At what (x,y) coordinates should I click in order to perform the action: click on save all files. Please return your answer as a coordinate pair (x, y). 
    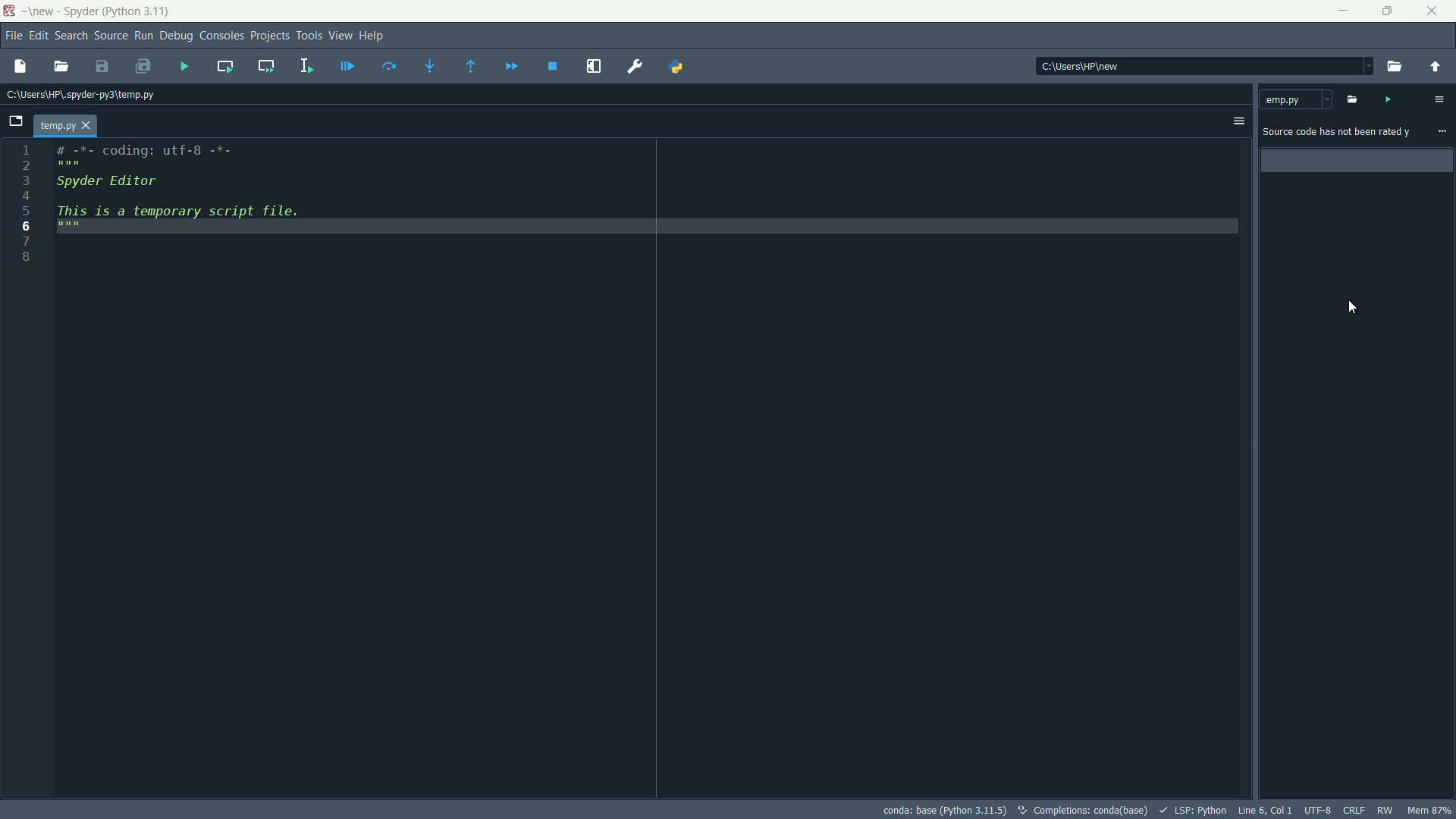
    Looking at the image, I should click on (143, 67).